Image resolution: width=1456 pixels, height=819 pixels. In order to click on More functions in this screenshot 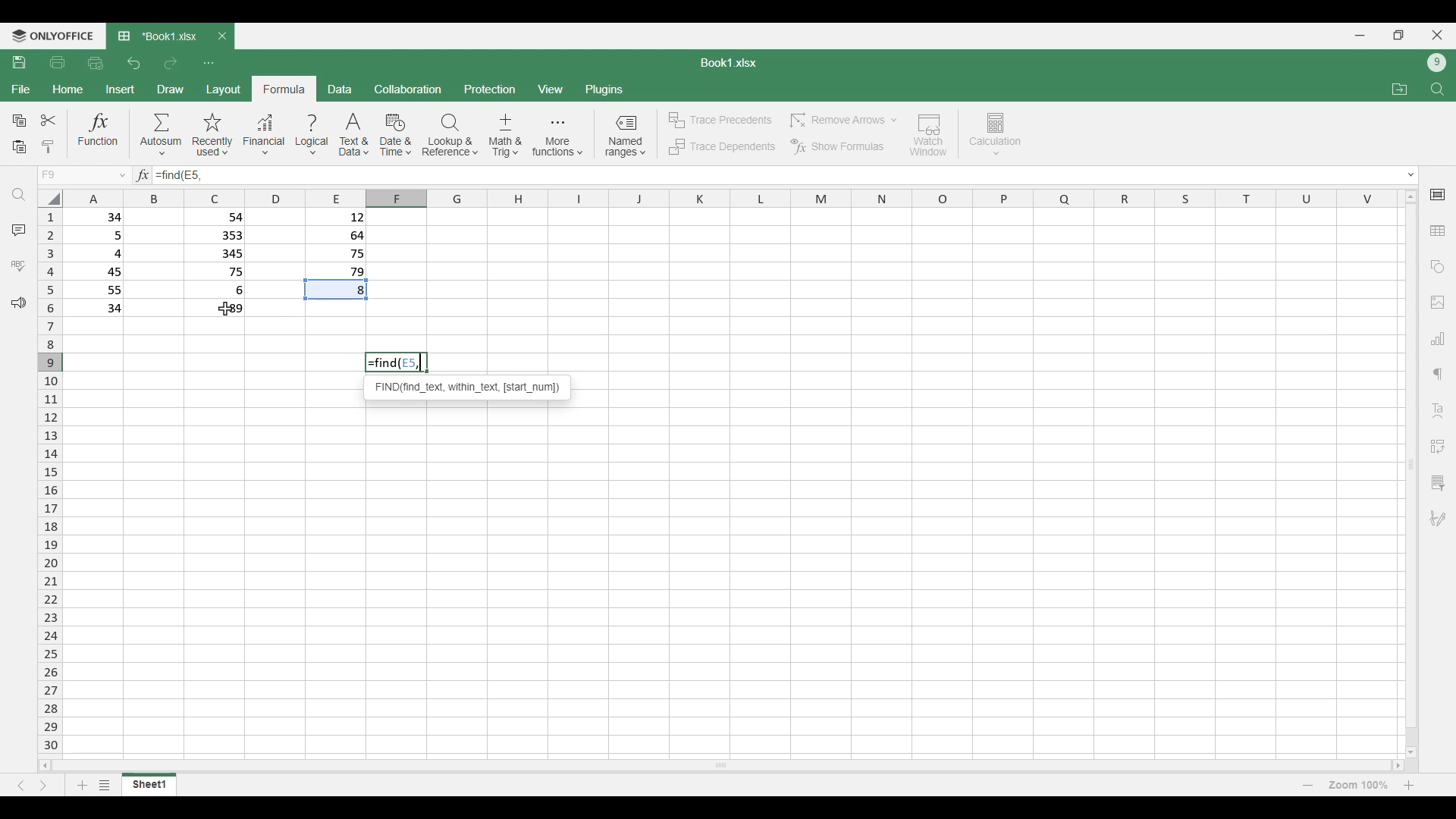, I will do `click(557, 136)`.